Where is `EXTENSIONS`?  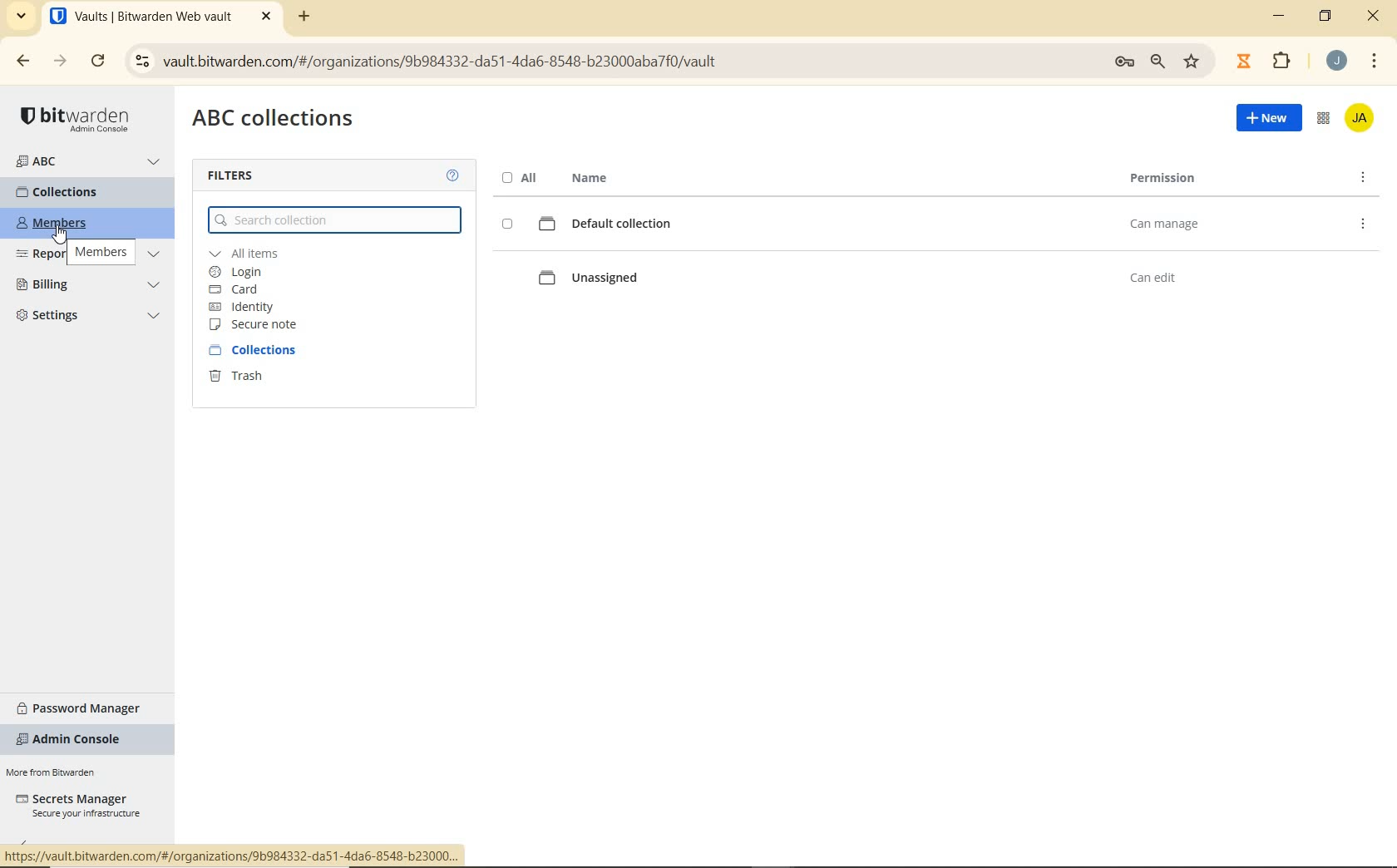
EXTENSIONS is located at coordinates (1266, 60).